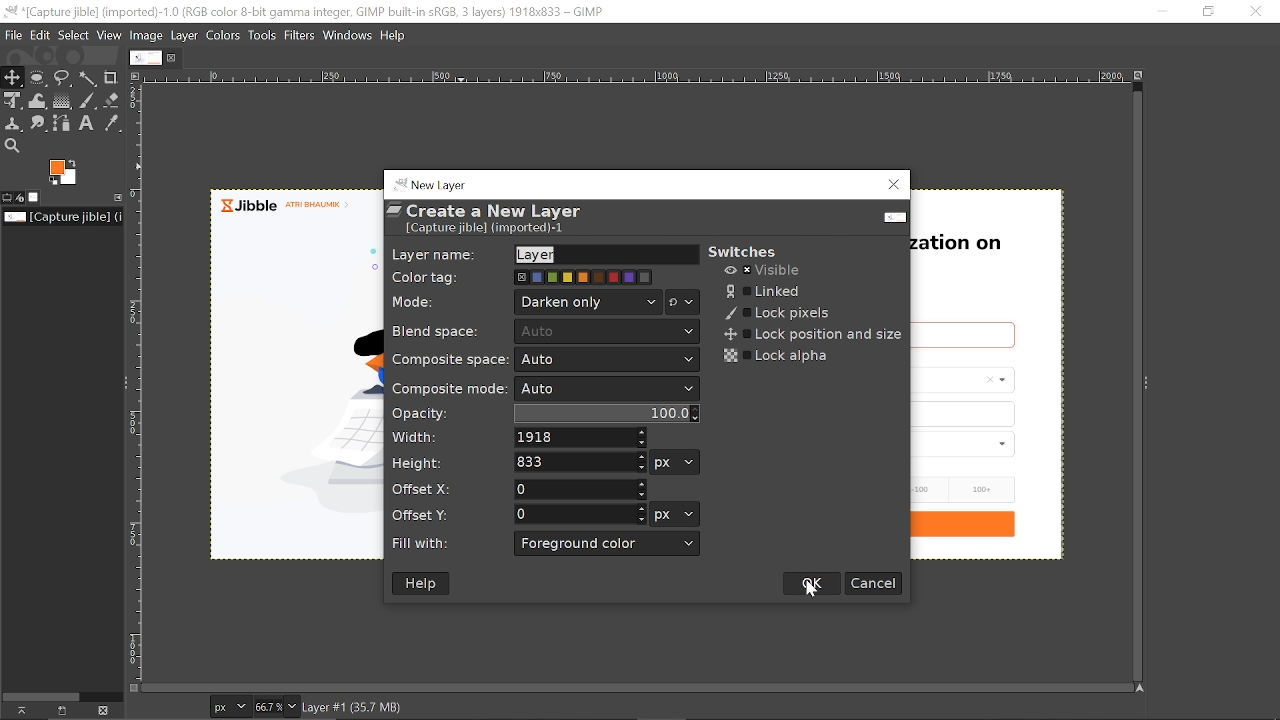 This screenshot has width=1280, height=720. I want to click on CLose, so click(1254, 10).